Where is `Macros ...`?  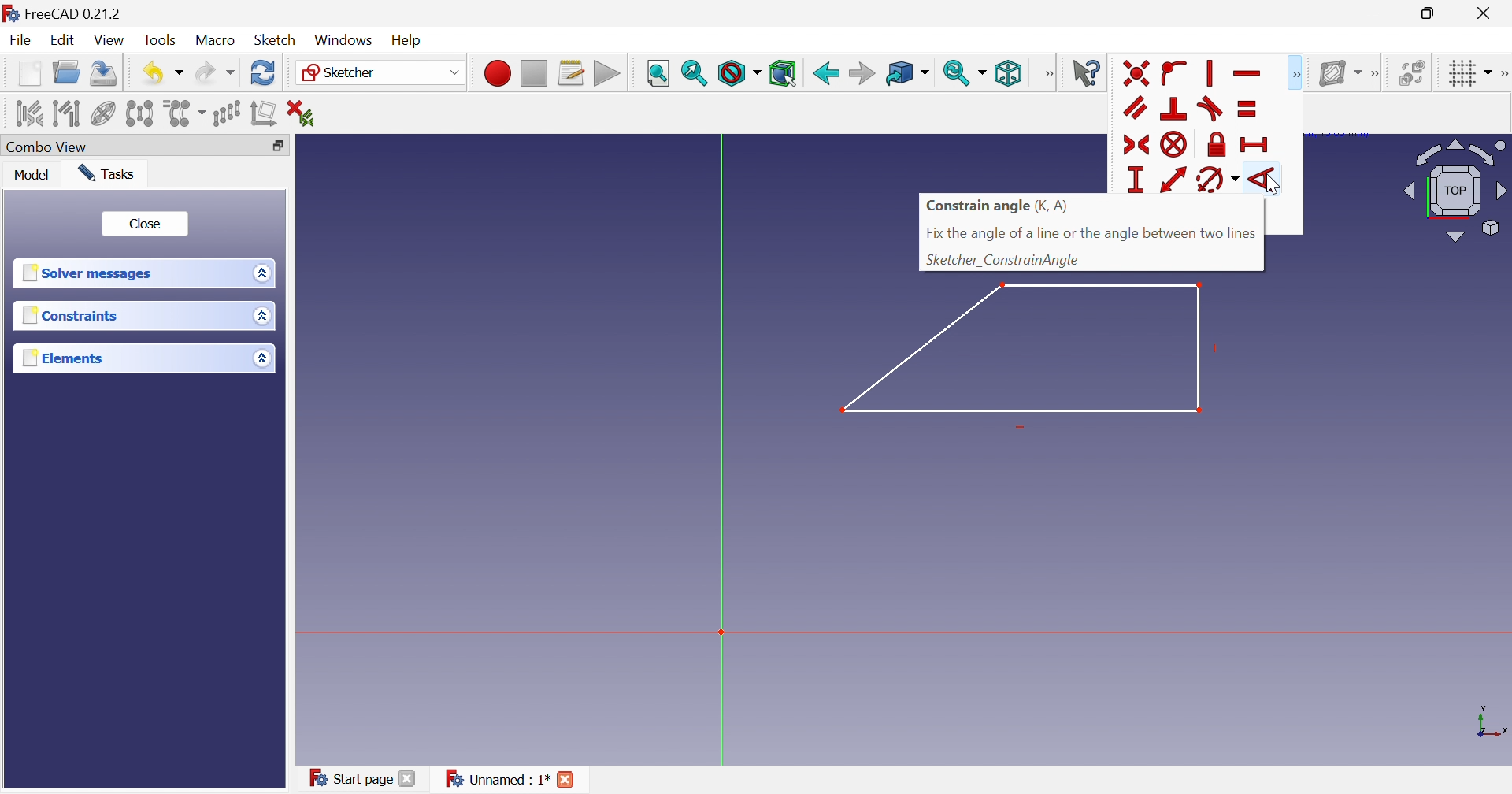 Macros ... is located at coordinates (571, 72).